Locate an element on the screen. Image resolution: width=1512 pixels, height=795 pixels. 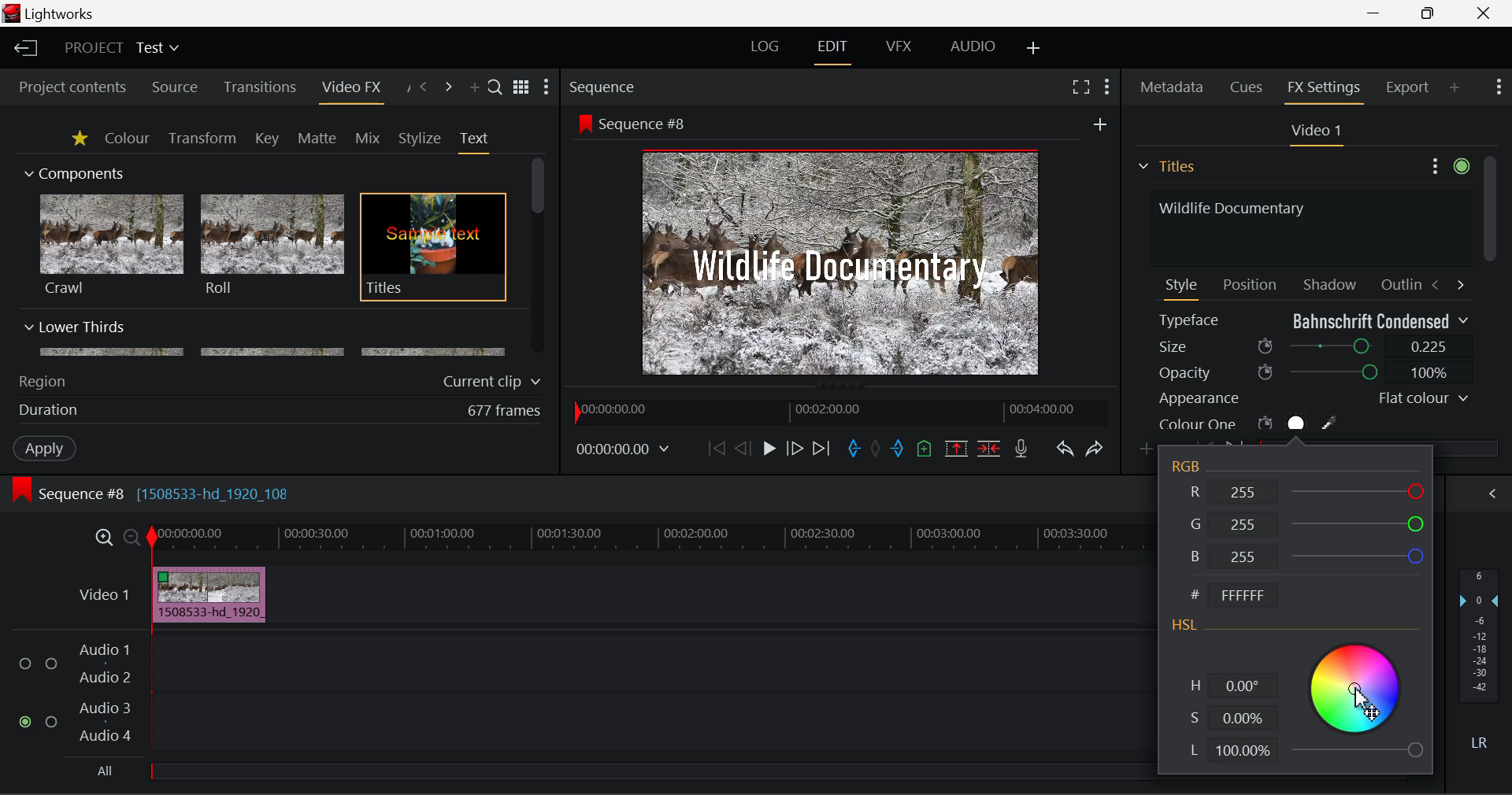
Color Selector is located at coordinates (1356, 698).